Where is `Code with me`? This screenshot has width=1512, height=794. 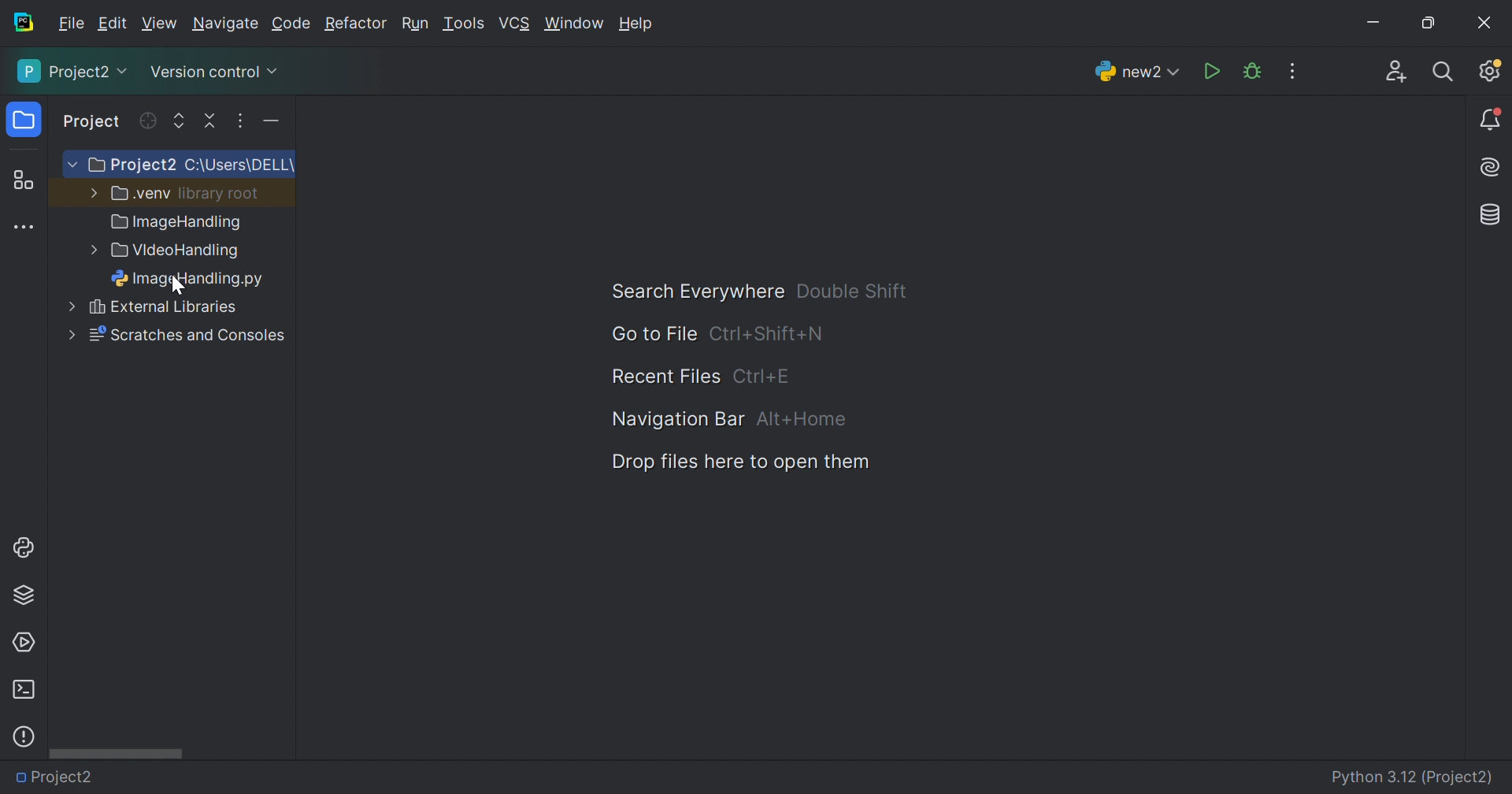 Code with me is located at coordinates (1396, 74).